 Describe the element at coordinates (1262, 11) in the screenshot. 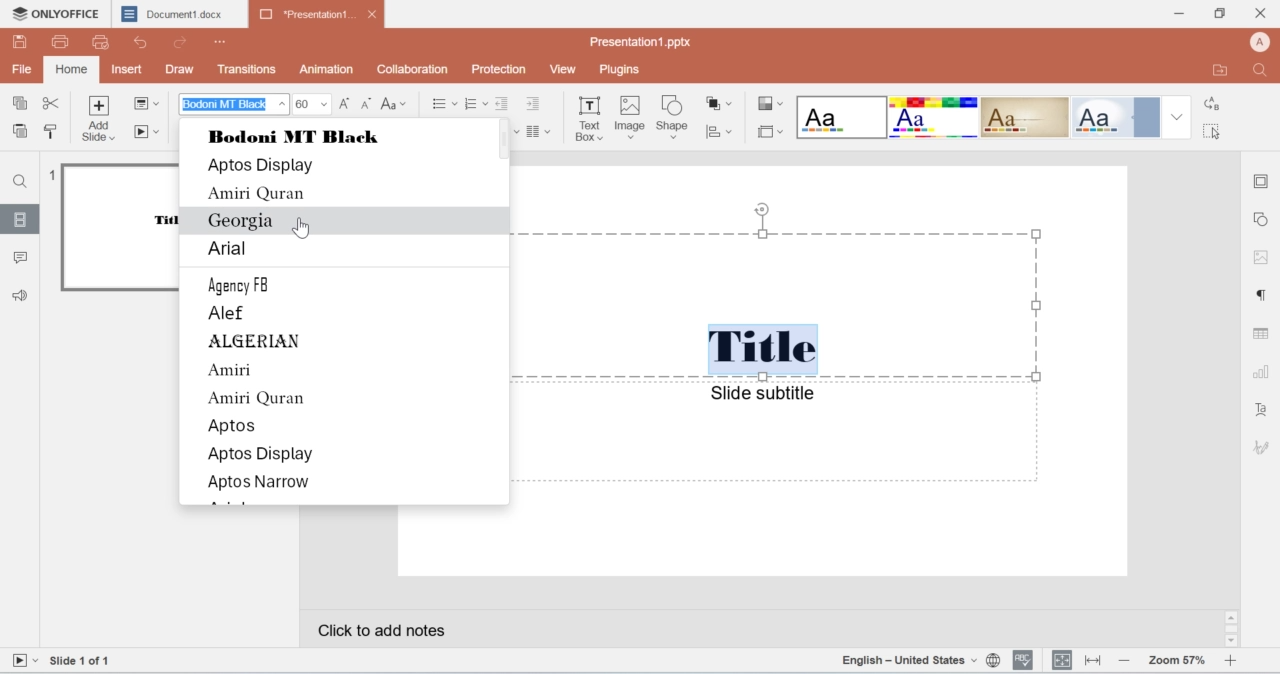

I see `close` at that location.